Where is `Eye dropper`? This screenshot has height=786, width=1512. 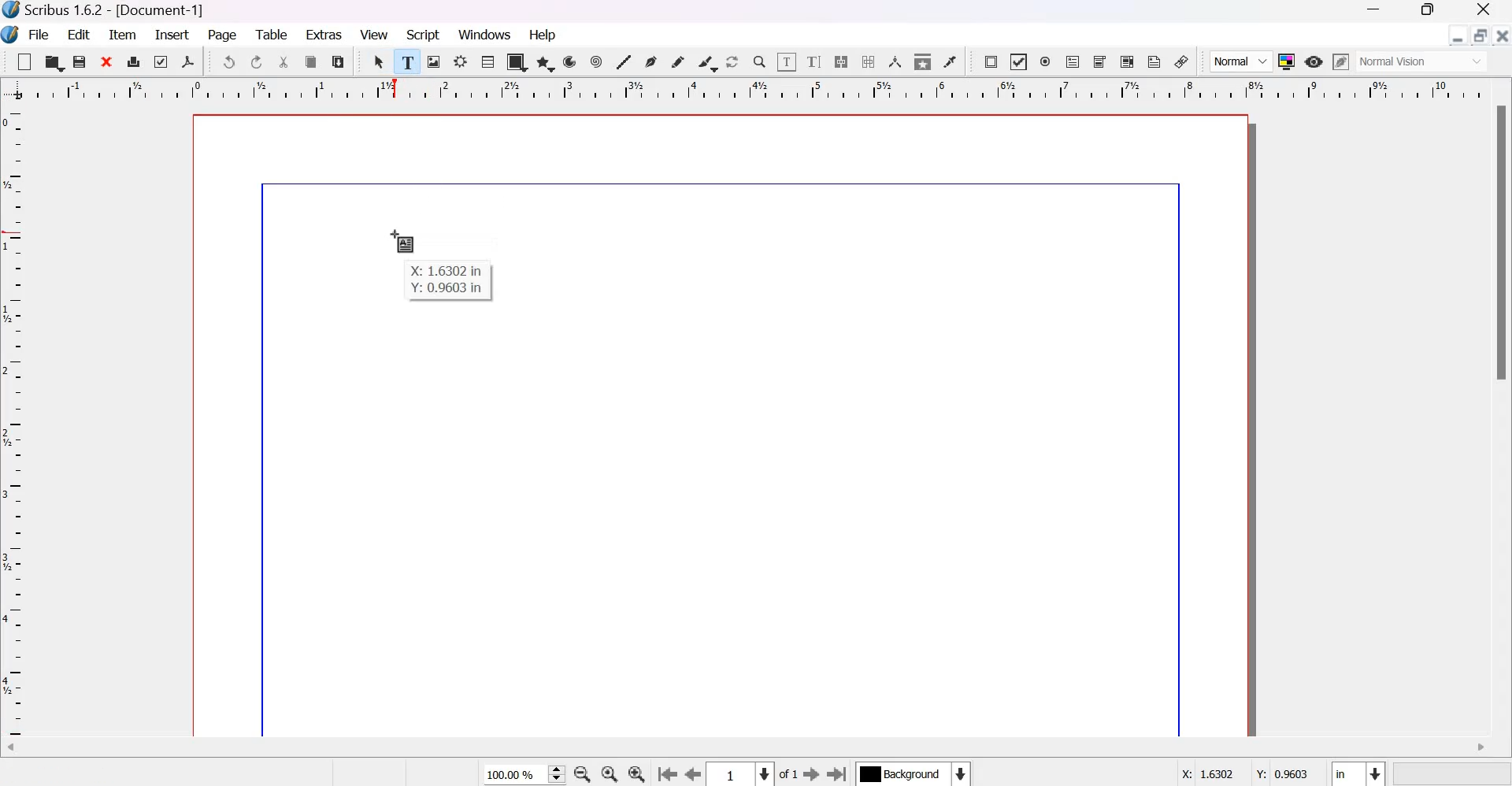 Eye dropper is located at coordinates (950, 61).